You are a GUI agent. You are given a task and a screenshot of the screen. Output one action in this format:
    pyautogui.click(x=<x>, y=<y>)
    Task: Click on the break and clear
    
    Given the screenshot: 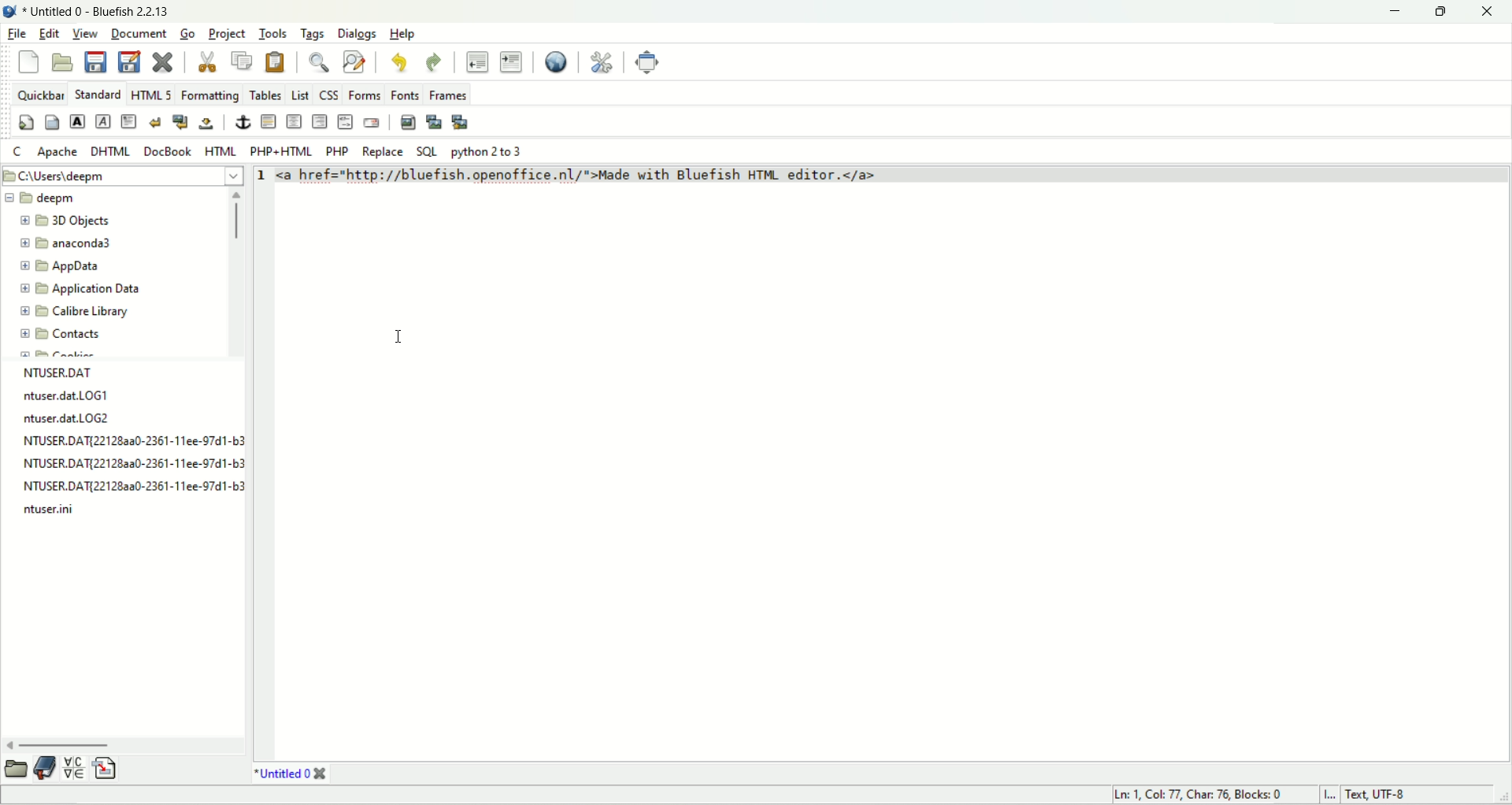 What is the action you would take?
    pyautogui.click(x=180, y=121)
    